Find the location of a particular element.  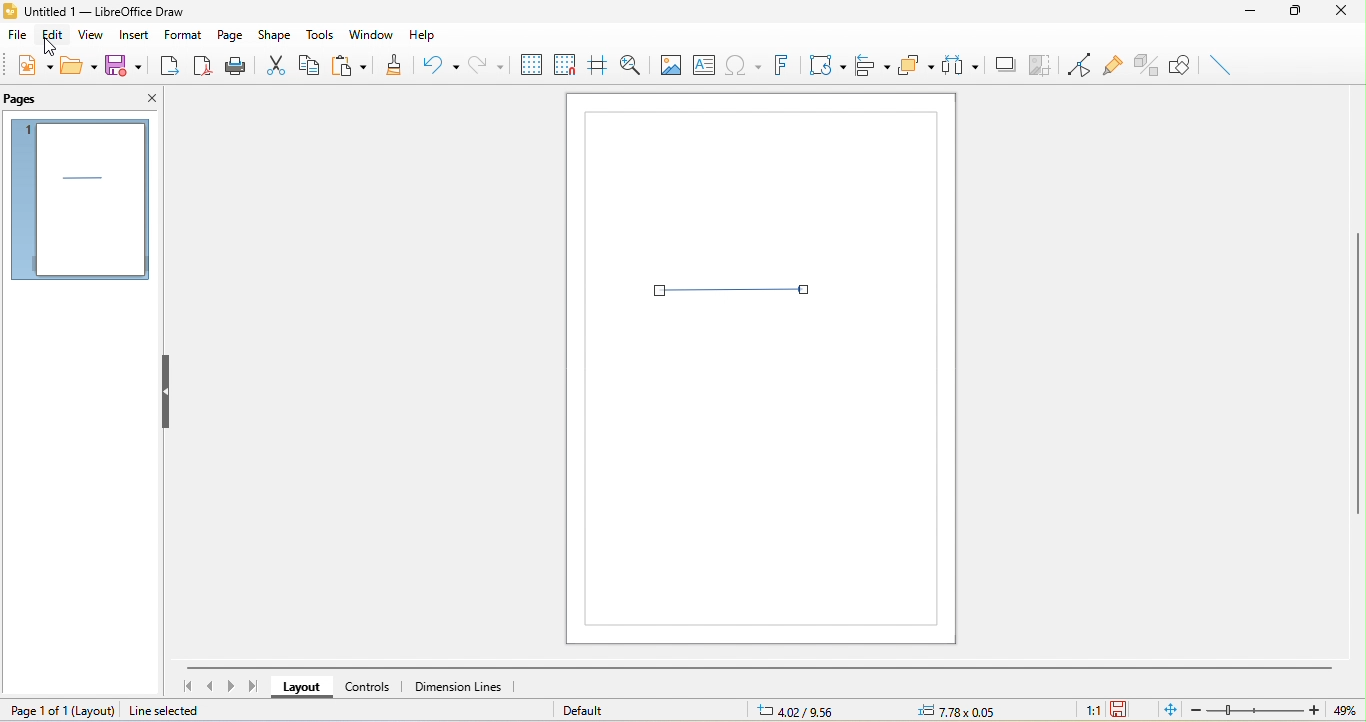

page 1 of 1 is located at coordinates (63, 710).